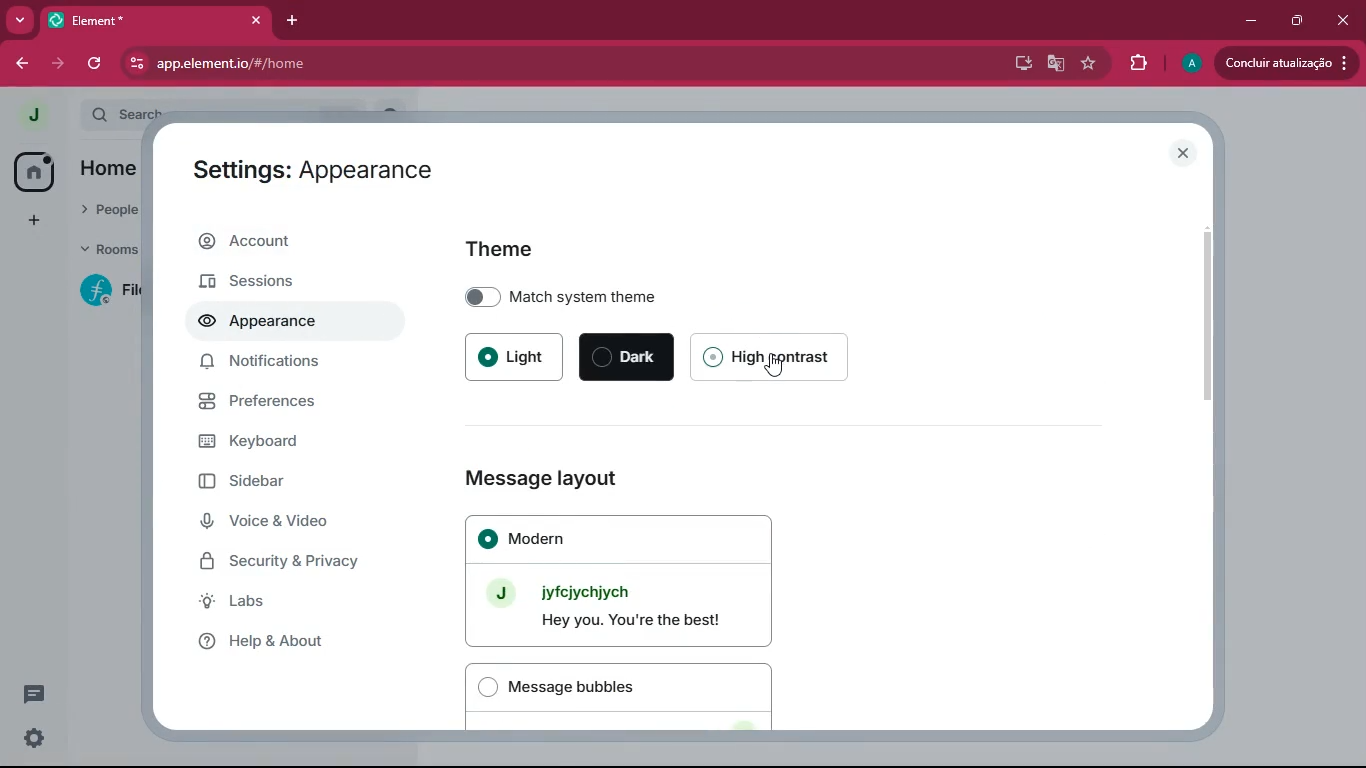  Describe the element at coordinates (775, 369) in the screenshot. I see `Cursor` at that location.